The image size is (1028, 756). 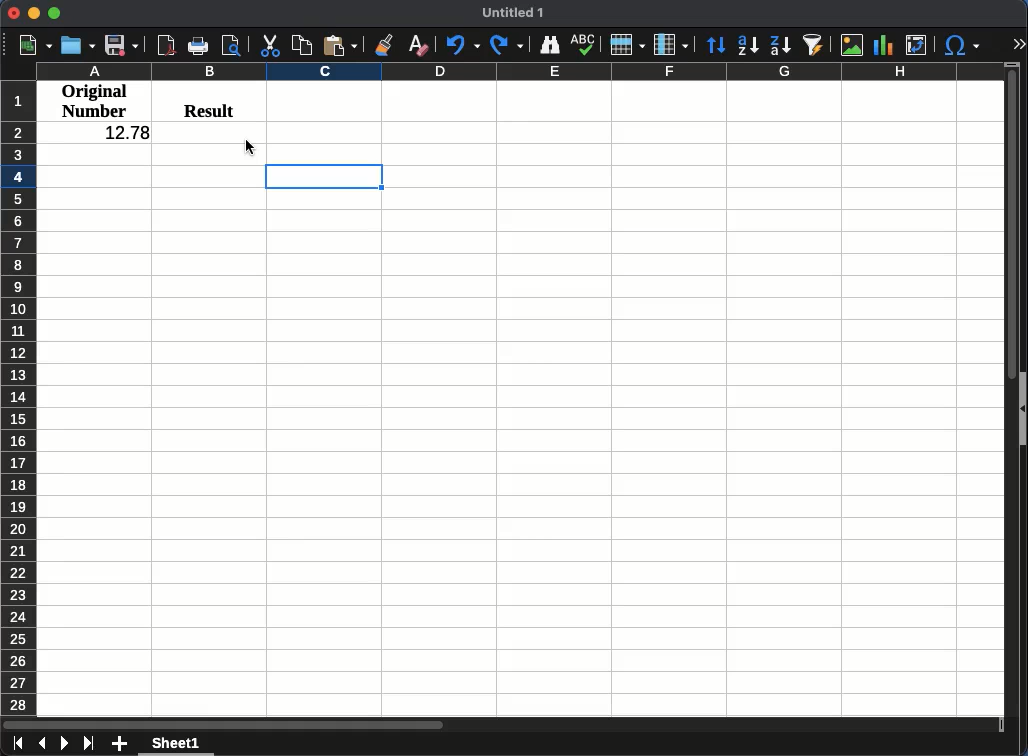 What do you see at coordinates (125, 131) in the screenshot?
I see `12.78` at bounding box center [125, 131].